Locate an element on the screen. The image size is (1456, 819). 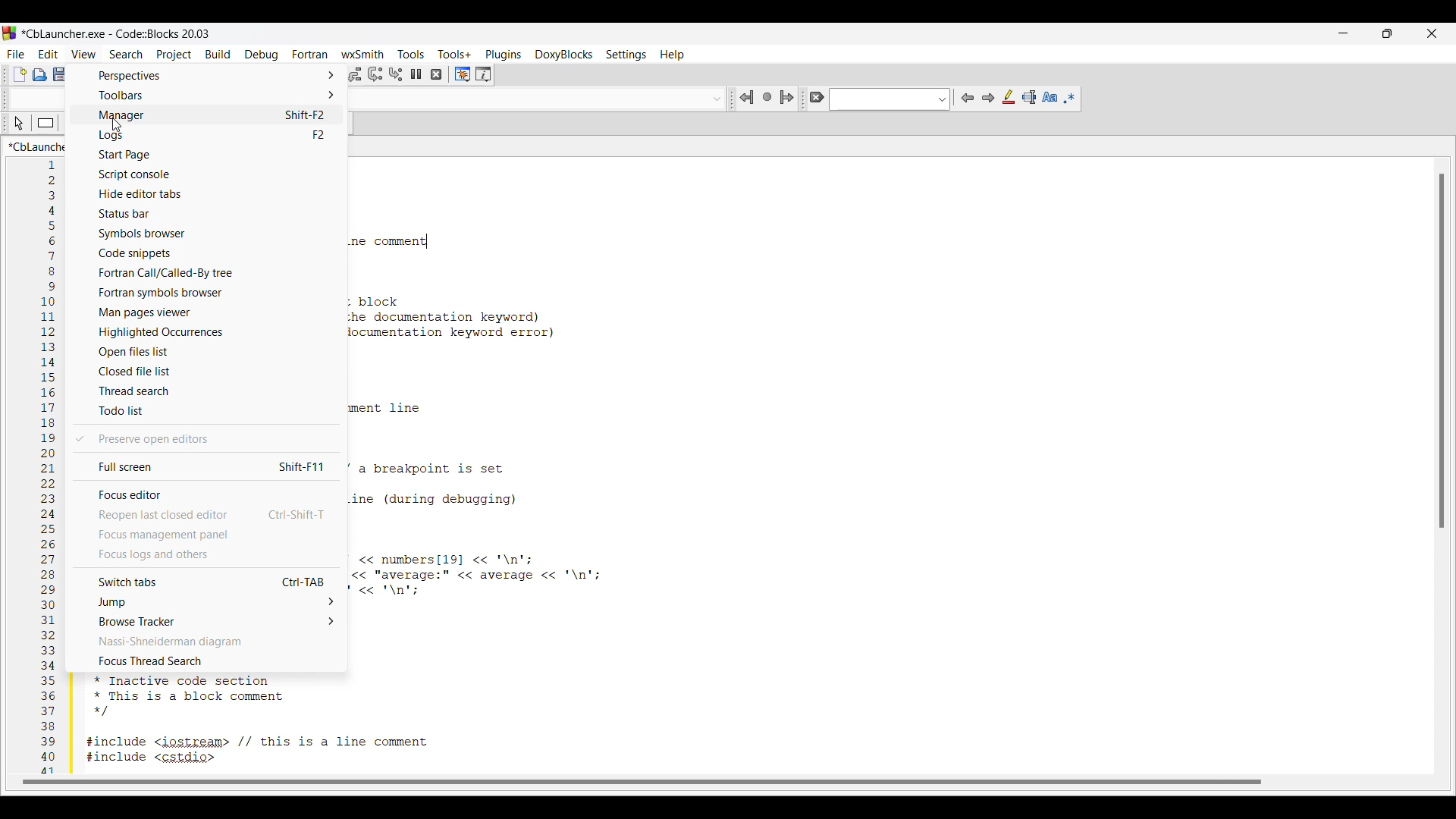
Fortran symbols browser is located at coordinates (209, 293).